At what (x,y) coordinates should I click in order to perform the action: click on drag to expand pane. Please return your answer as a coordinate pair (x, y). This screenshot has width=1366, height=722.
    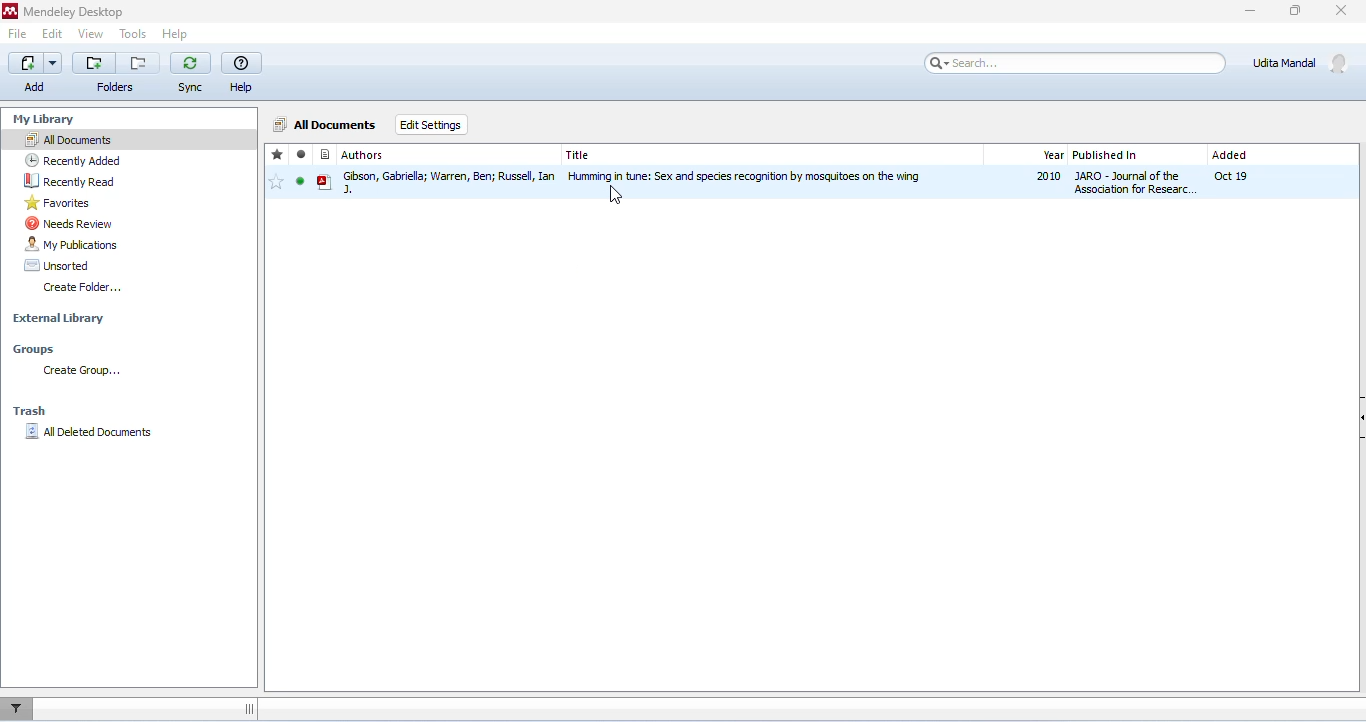
    Looking at the image, I should click on (253, 707).